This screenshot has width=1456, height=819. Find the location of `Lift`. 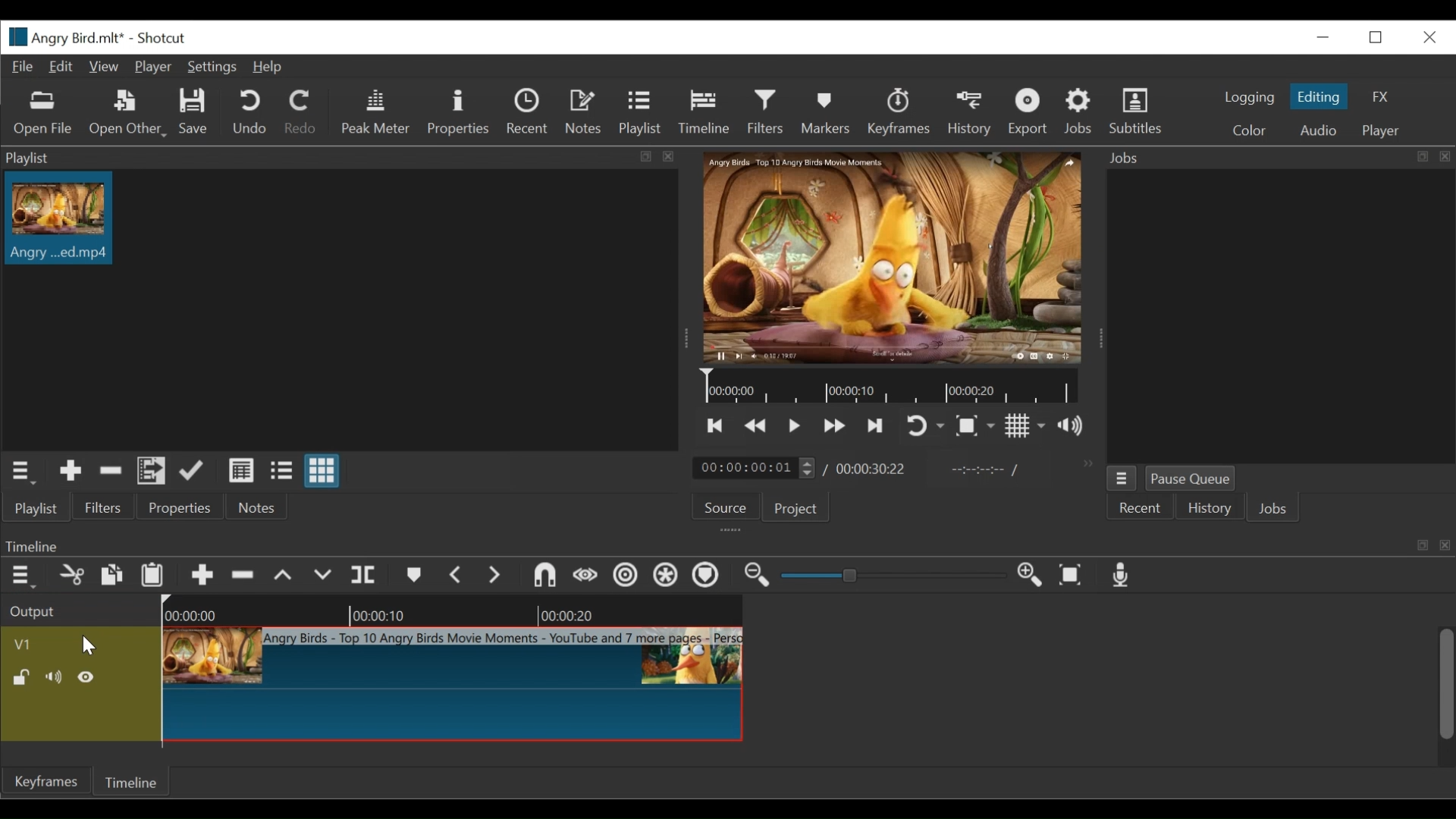

Lift is located at coordinates (285, 576).